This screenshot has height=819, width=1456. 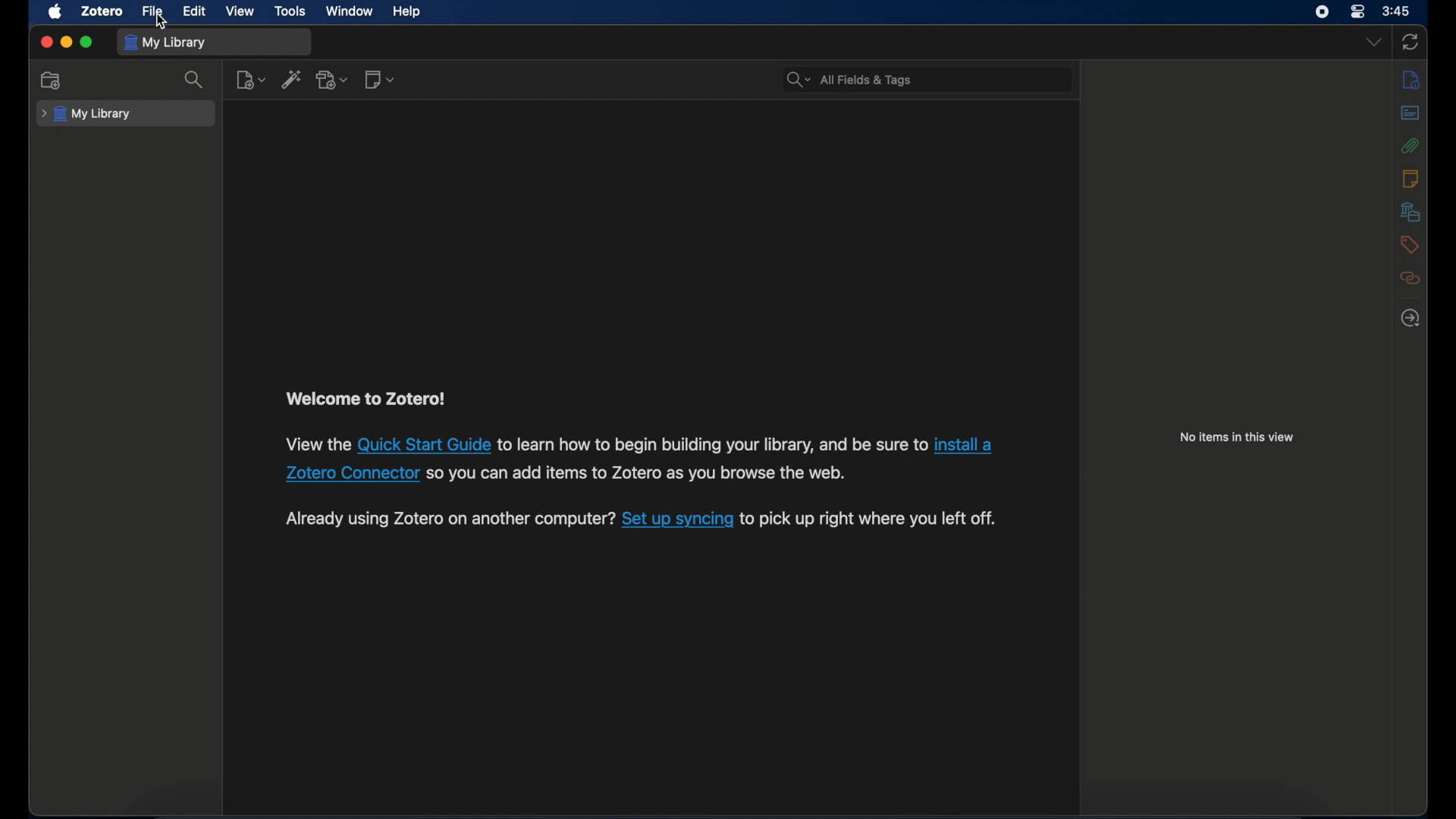 What do you see at coordinates (1409, 318) in the screenshot?
I see `locate` at bounding box center [1409, 318].